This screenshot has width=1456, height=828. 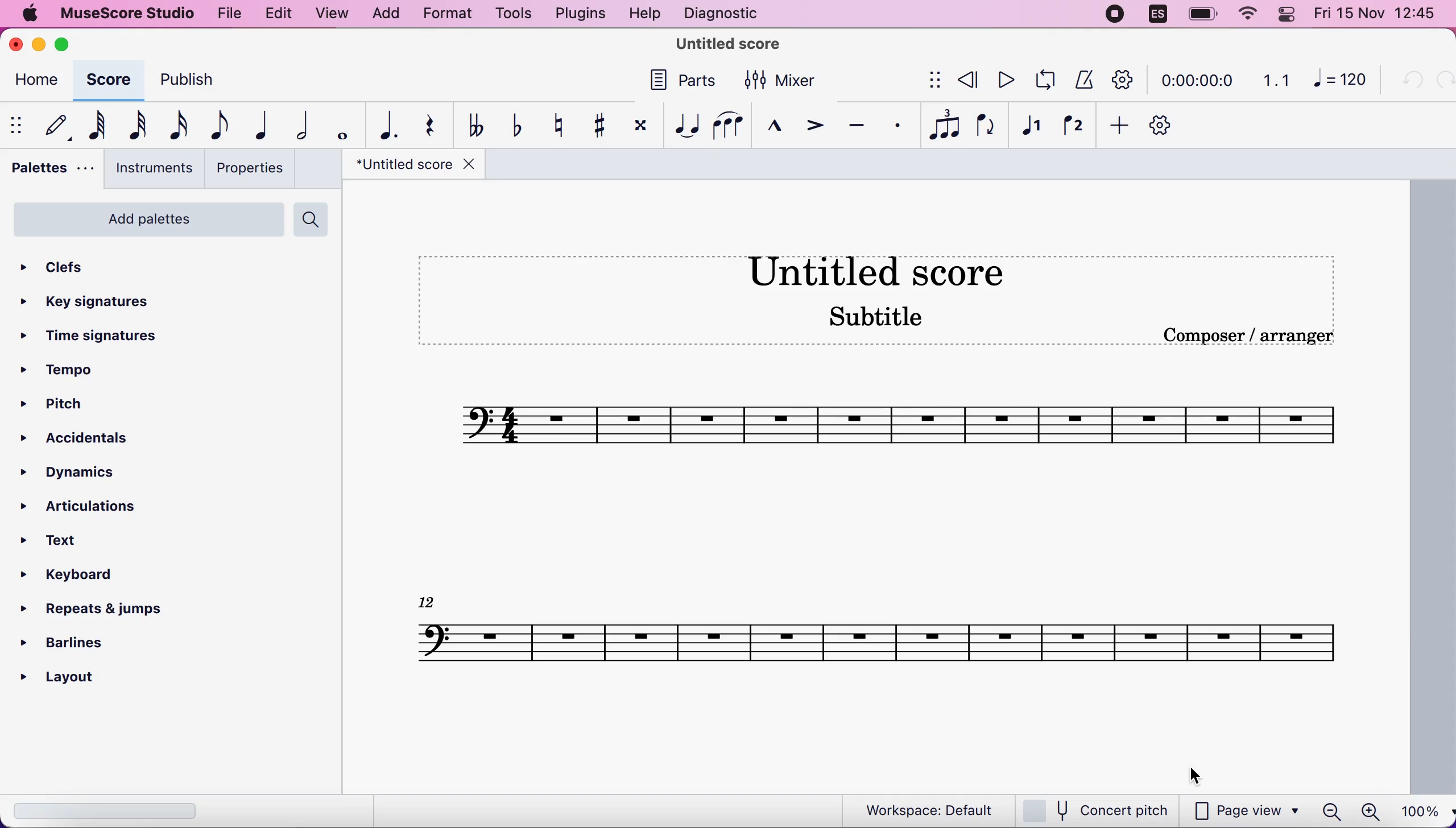 I want to click on untitled new score, so click(x=879, y=490).